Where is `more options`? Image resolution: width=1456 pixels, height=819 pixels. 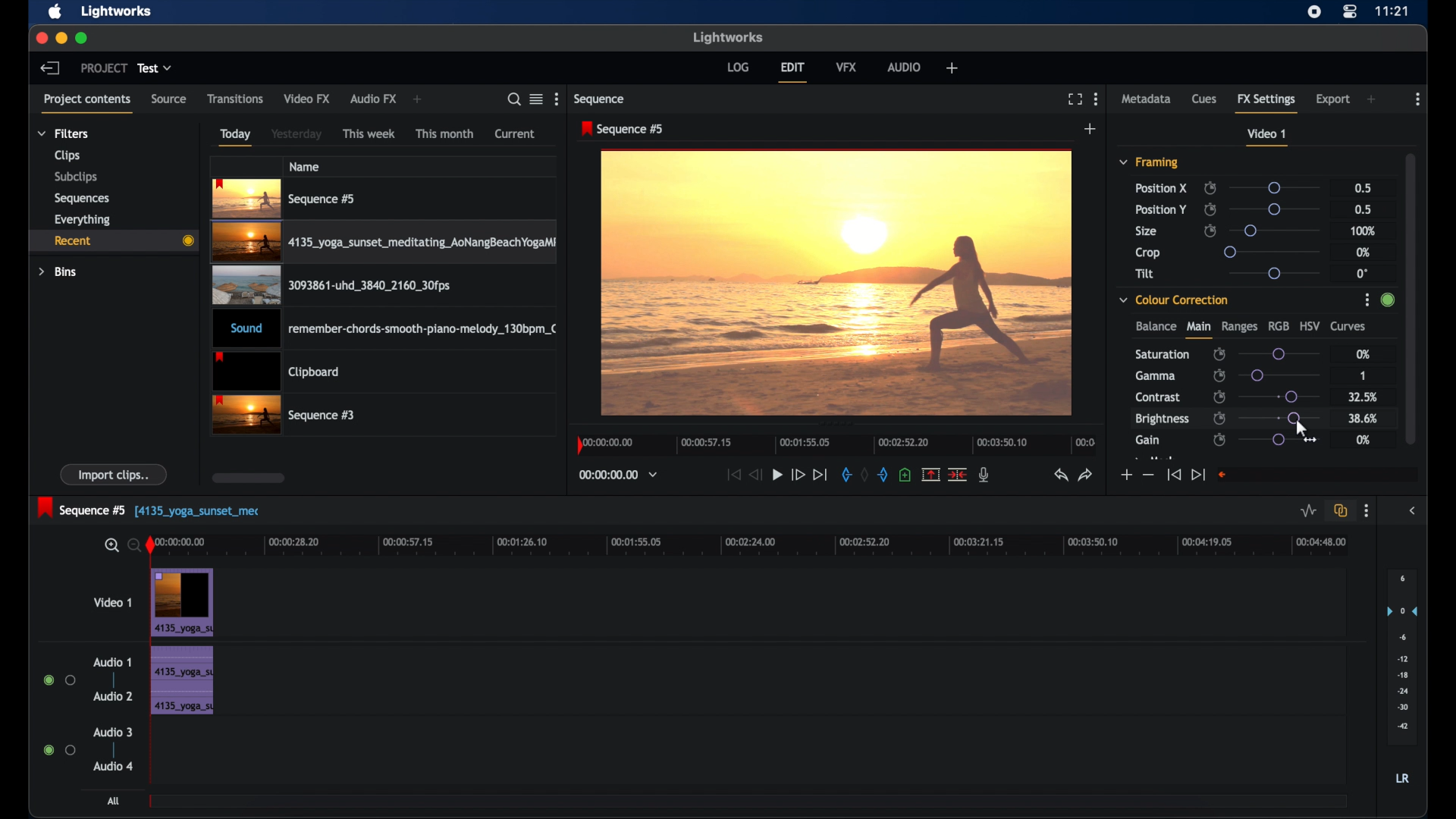
more options is located at coordinates (1418, 99).